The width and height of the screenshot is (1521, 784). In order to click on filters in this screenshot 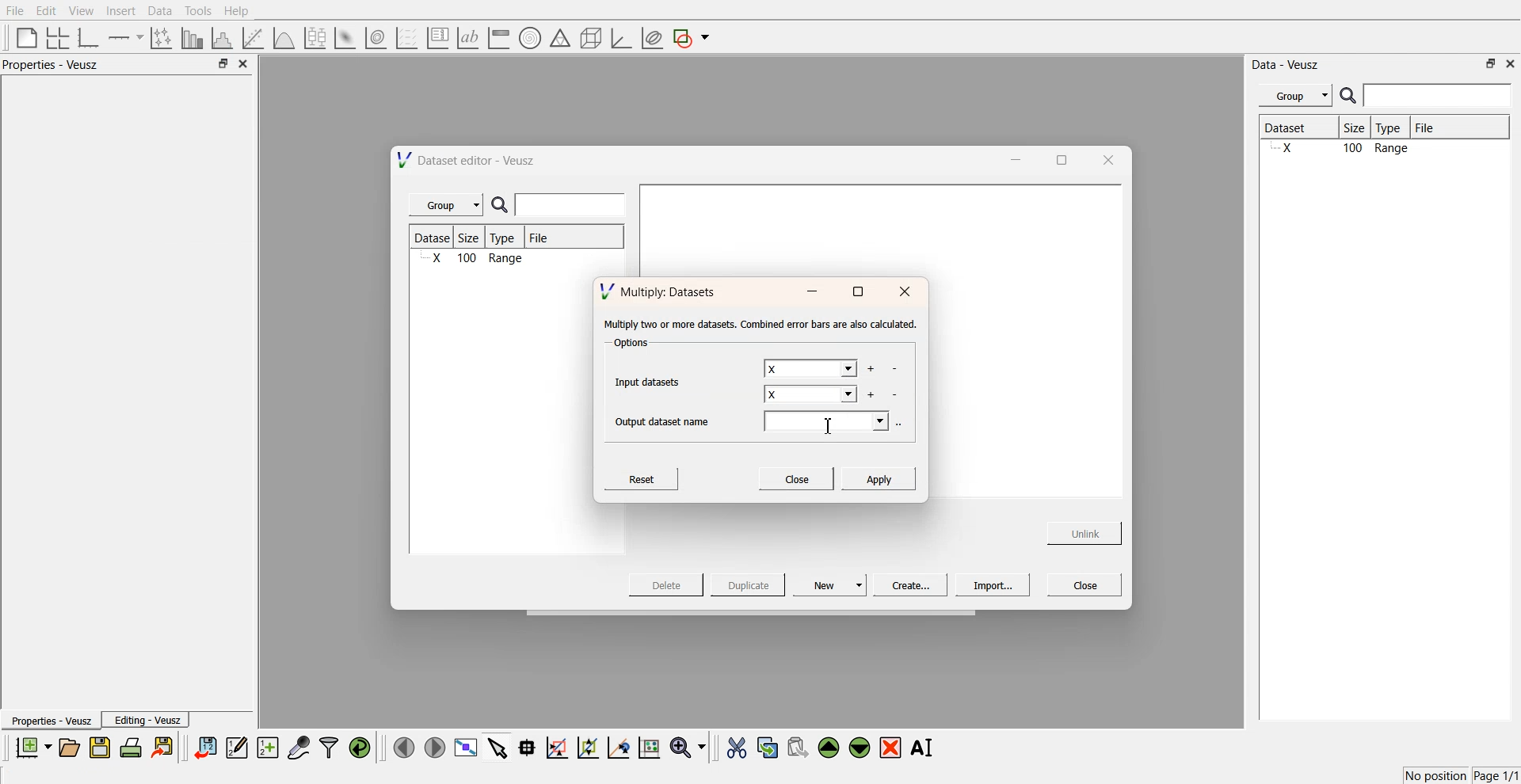, I will do `click(327, 748)`.